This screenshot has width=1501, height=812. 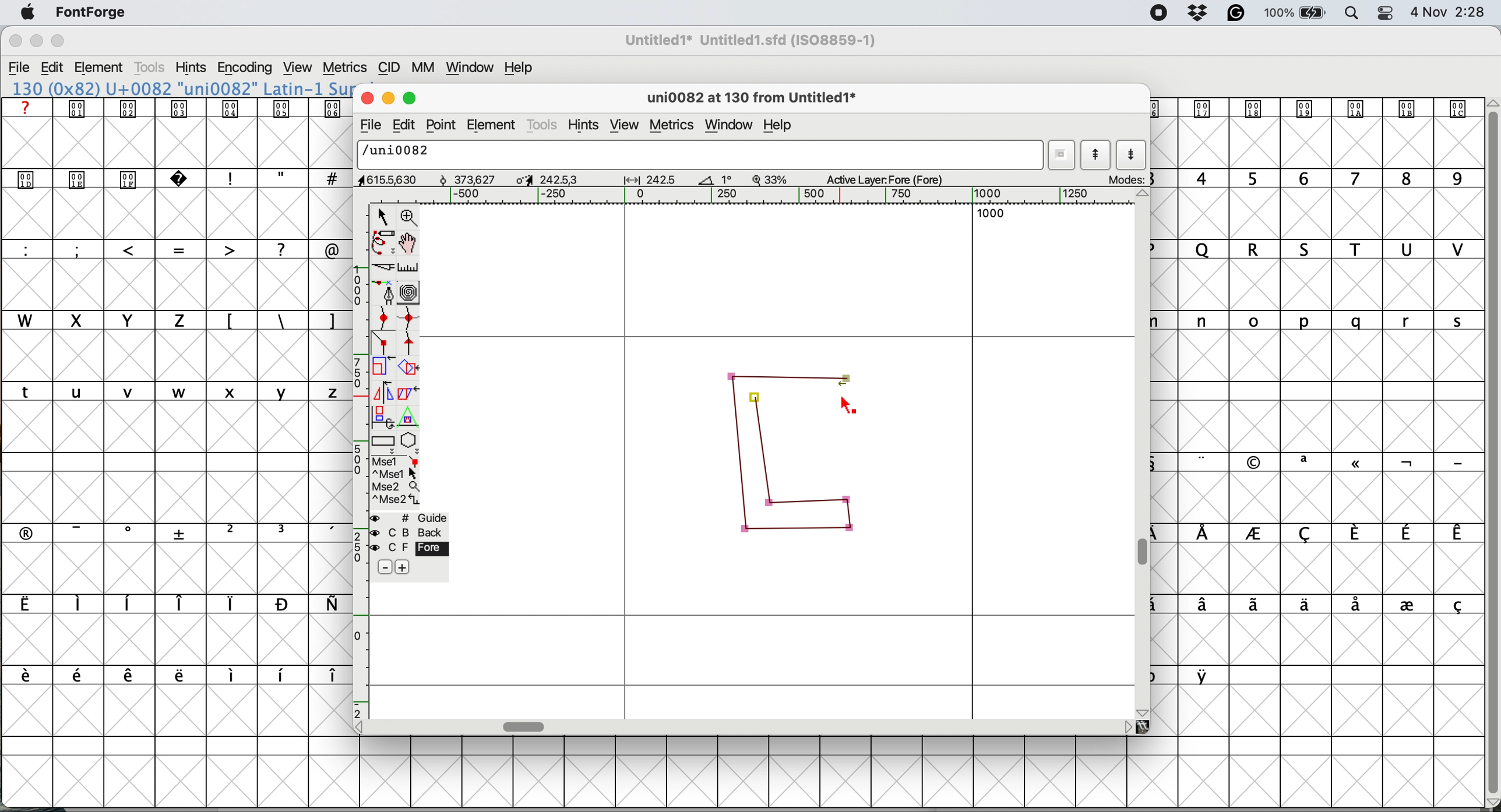 What do you see at coordinates (543, 126) in the screenshot?
I see `tools` at bounding box center [543, 126].